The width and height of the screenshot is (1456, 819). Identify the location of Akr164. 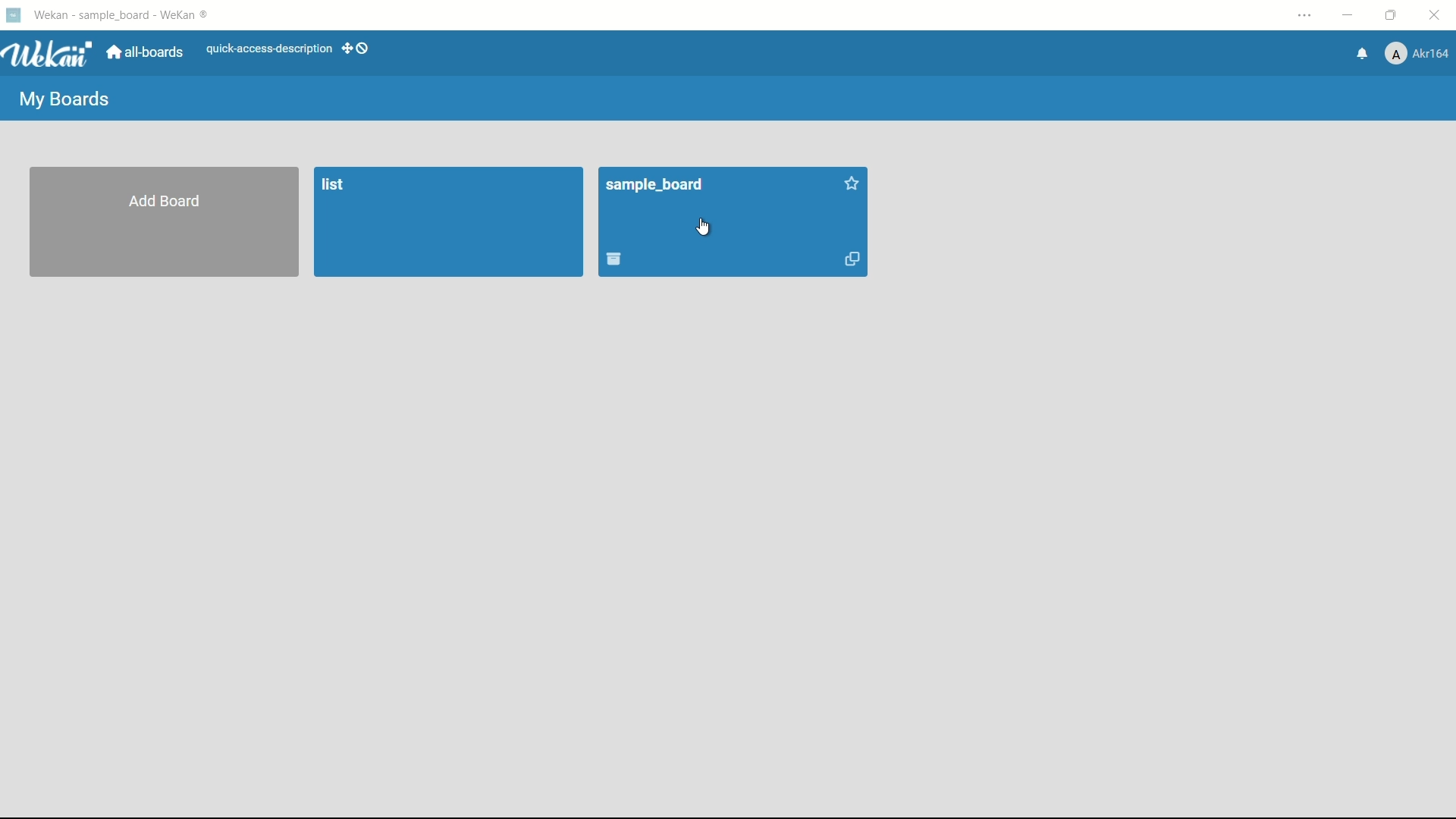
(1420, 53).